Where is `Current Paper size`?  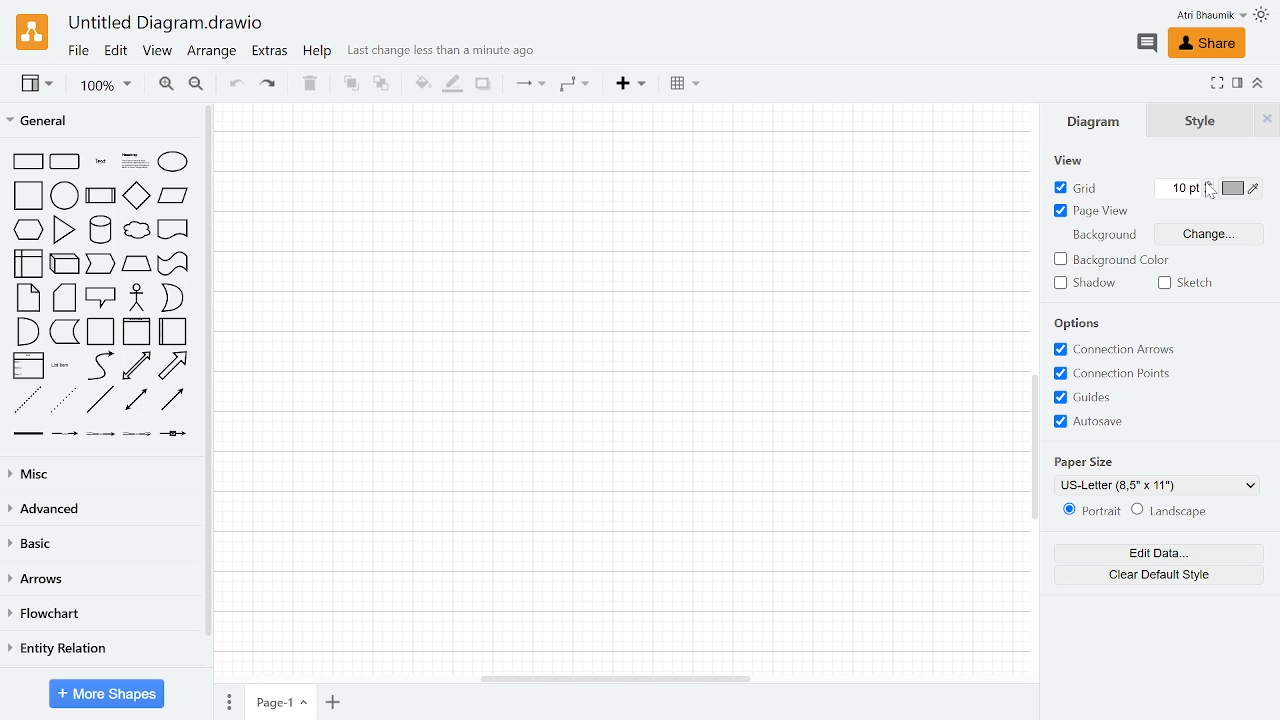 Current Paper size is located at coordinates (1153, 485).